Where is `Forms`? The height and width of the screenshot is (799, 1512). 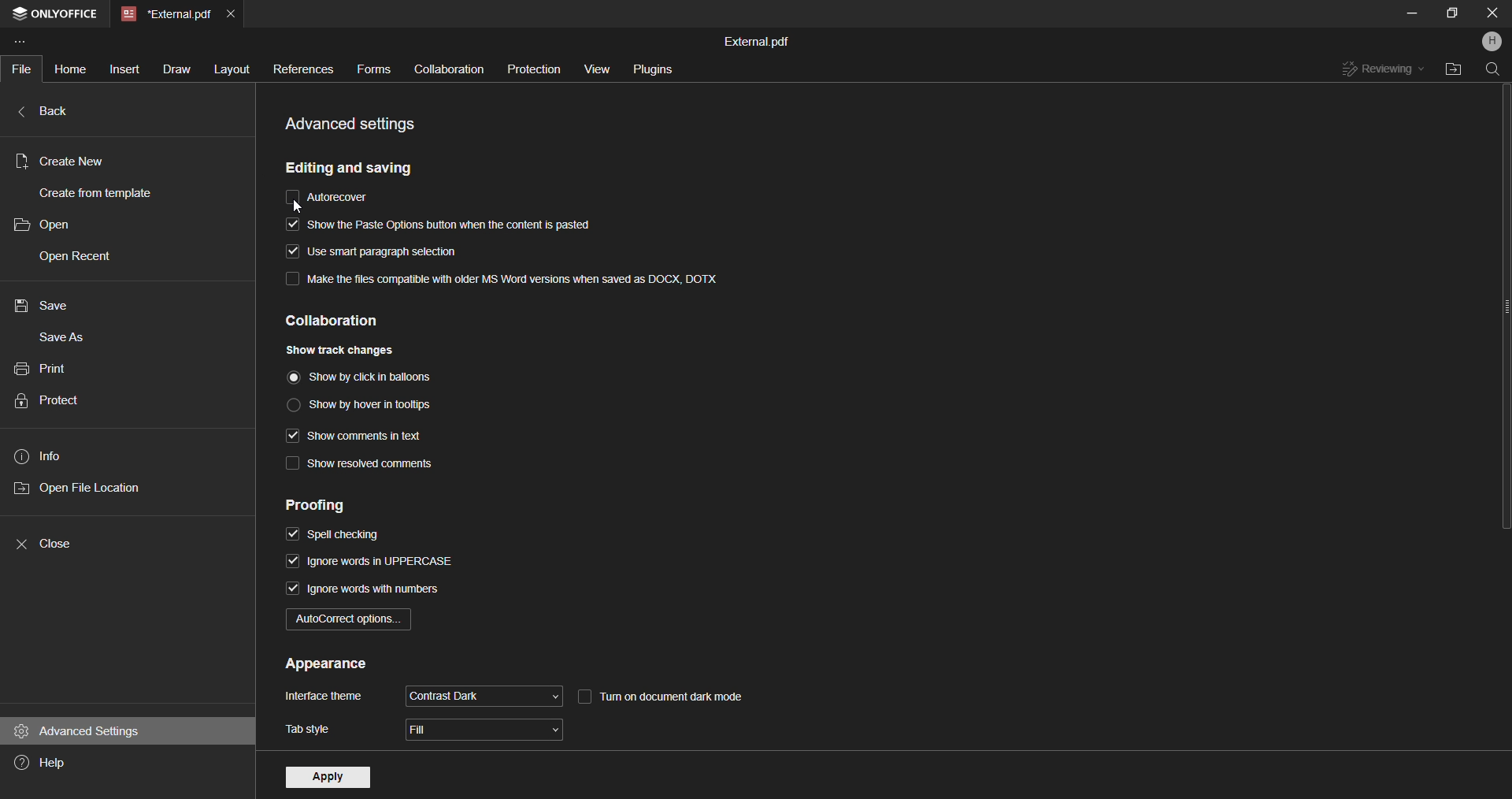
Forms is located at coordinates (373, 68).